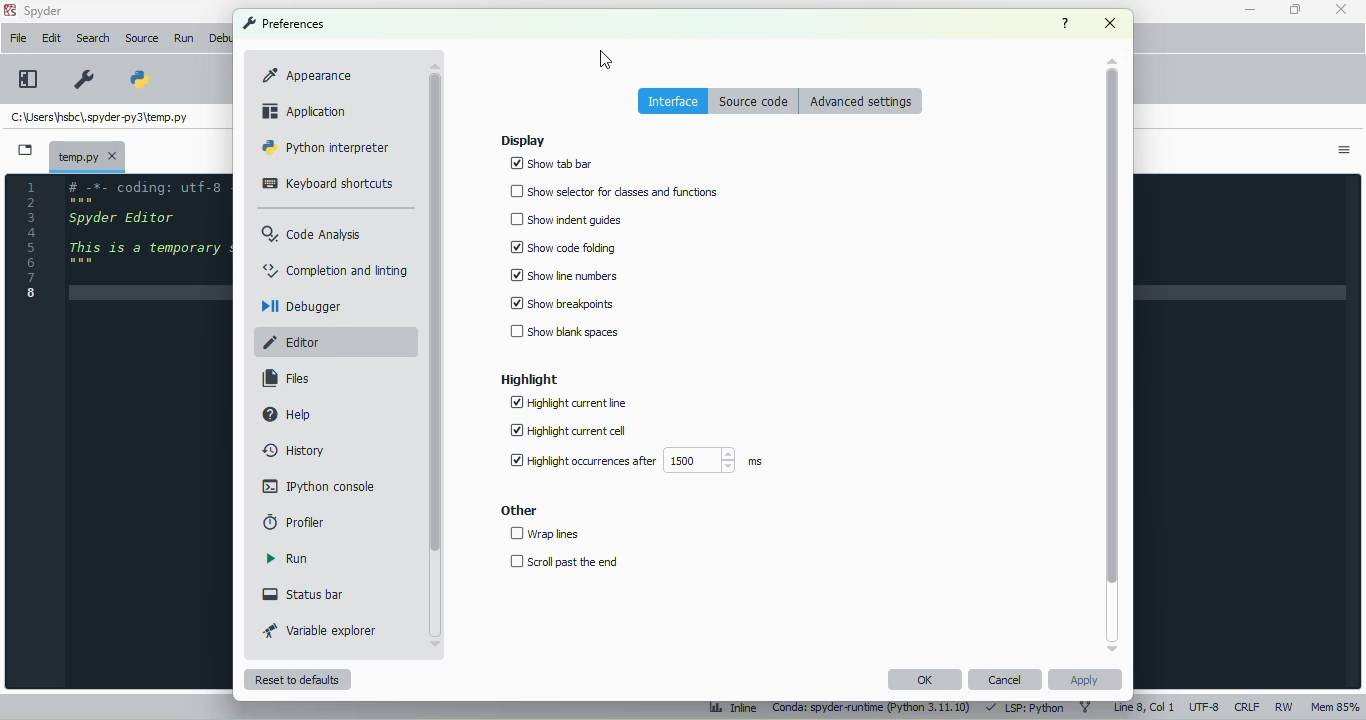  What do you see at coordinates (307, 74) in the screenshot?
I see `appearance` at bounding box center [307, 74].